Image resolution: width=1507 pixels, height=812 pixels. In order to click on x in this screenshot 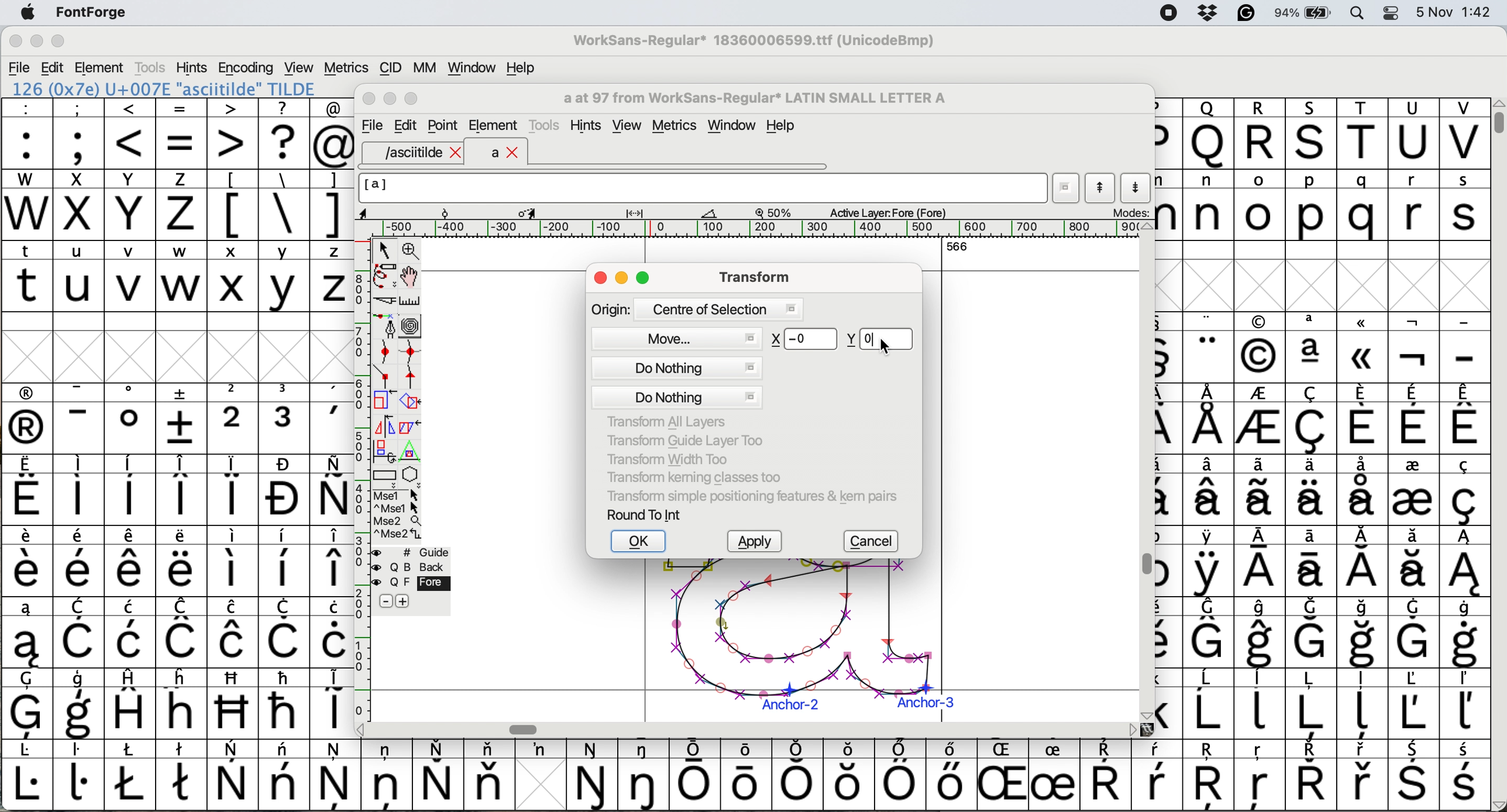, I will do `click(78, 205)`.